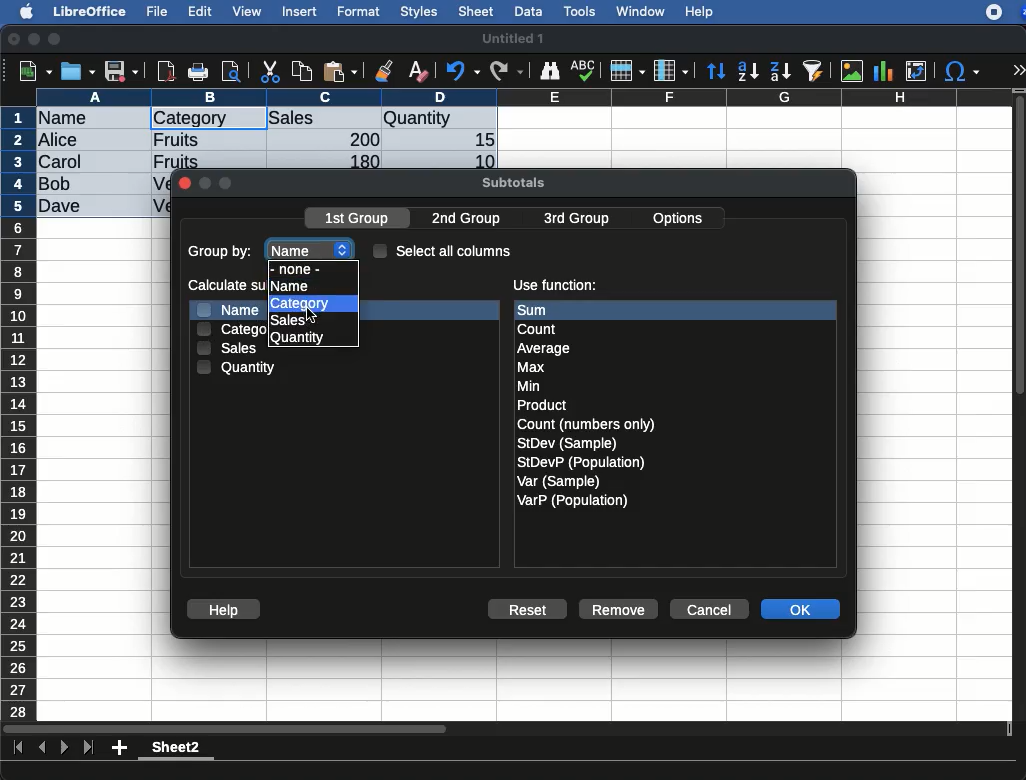 The width and height of the screenshot is (1026, 780). Describe the element at coordinates (122, 73) in the screenshot. I see `save` at that location.